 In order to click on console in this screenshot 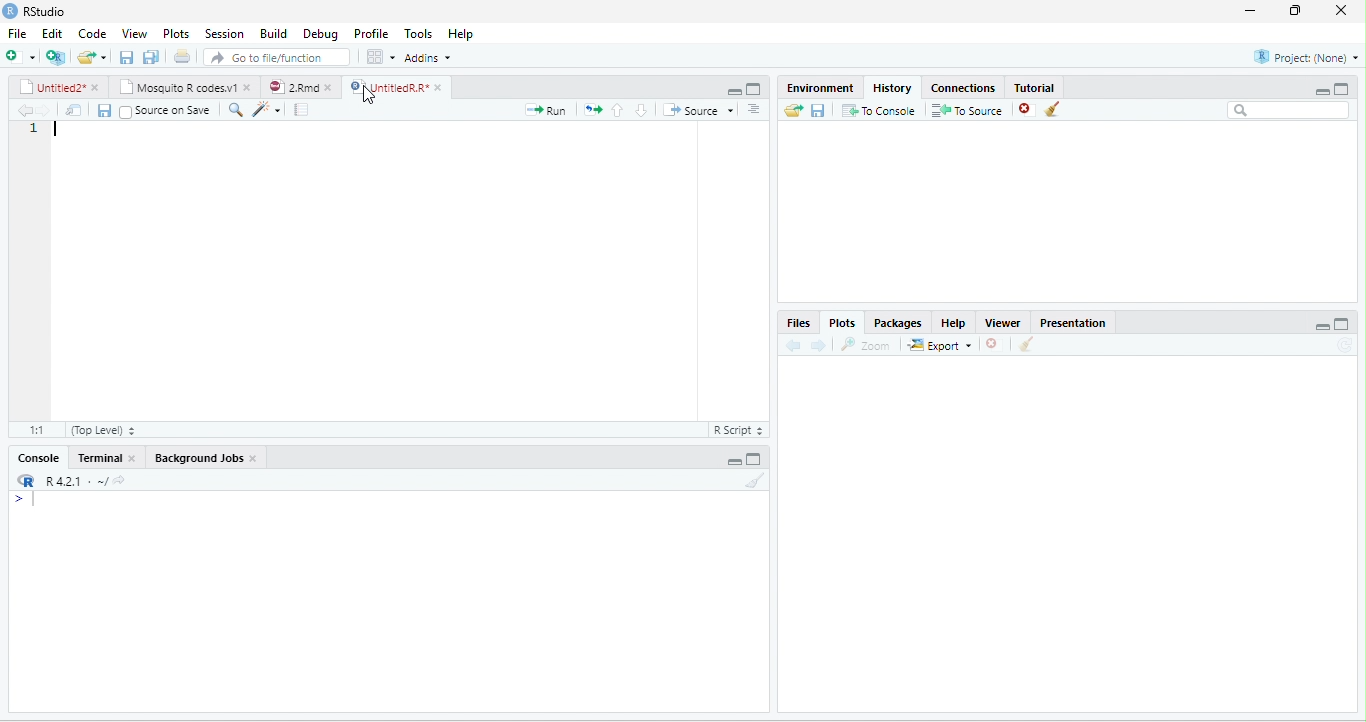, I will do `click(33, 458)`.